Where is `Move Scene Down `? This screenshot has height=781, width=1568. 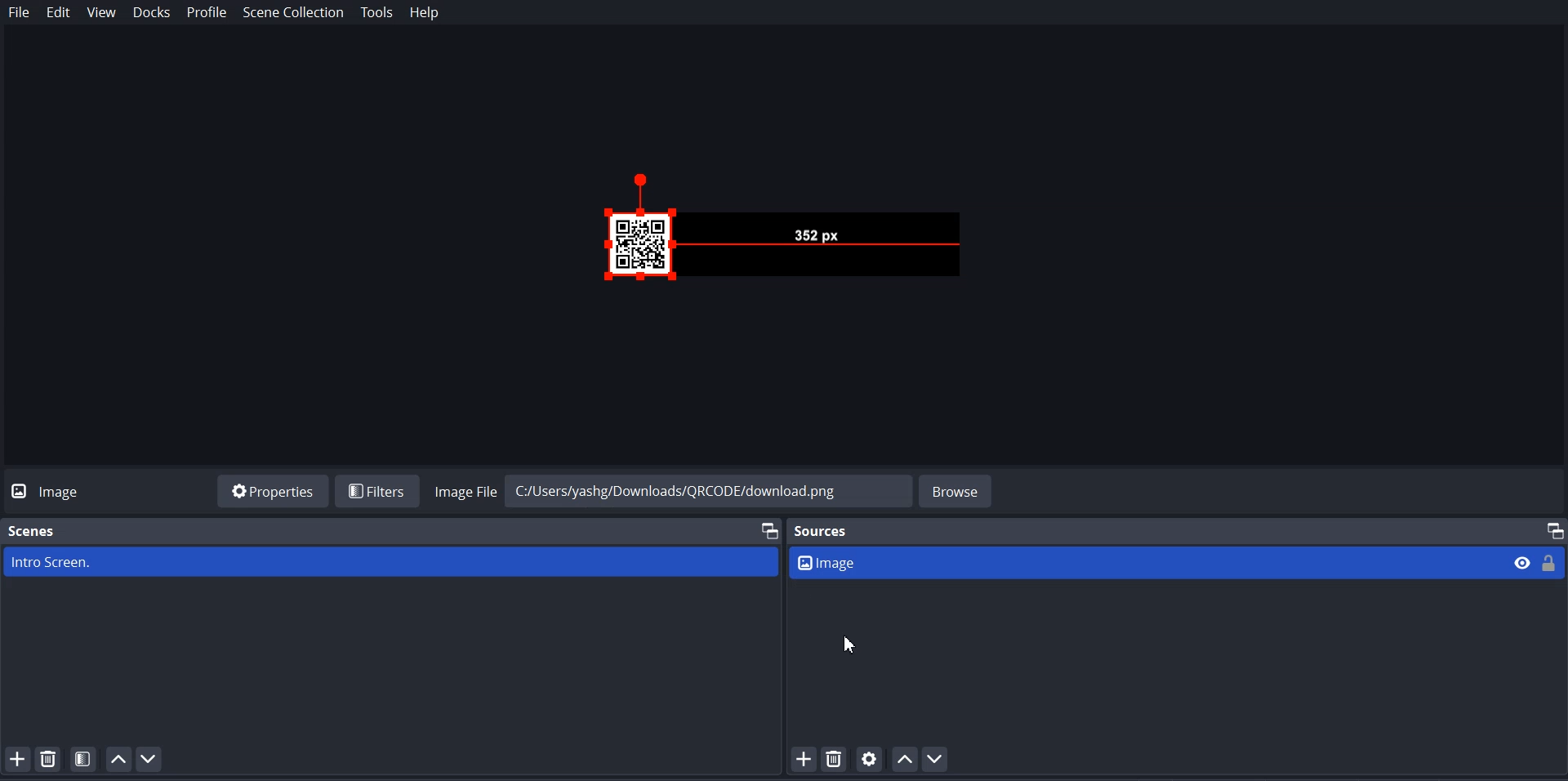 Move Scene Down  is located at coordinates (150, 759).